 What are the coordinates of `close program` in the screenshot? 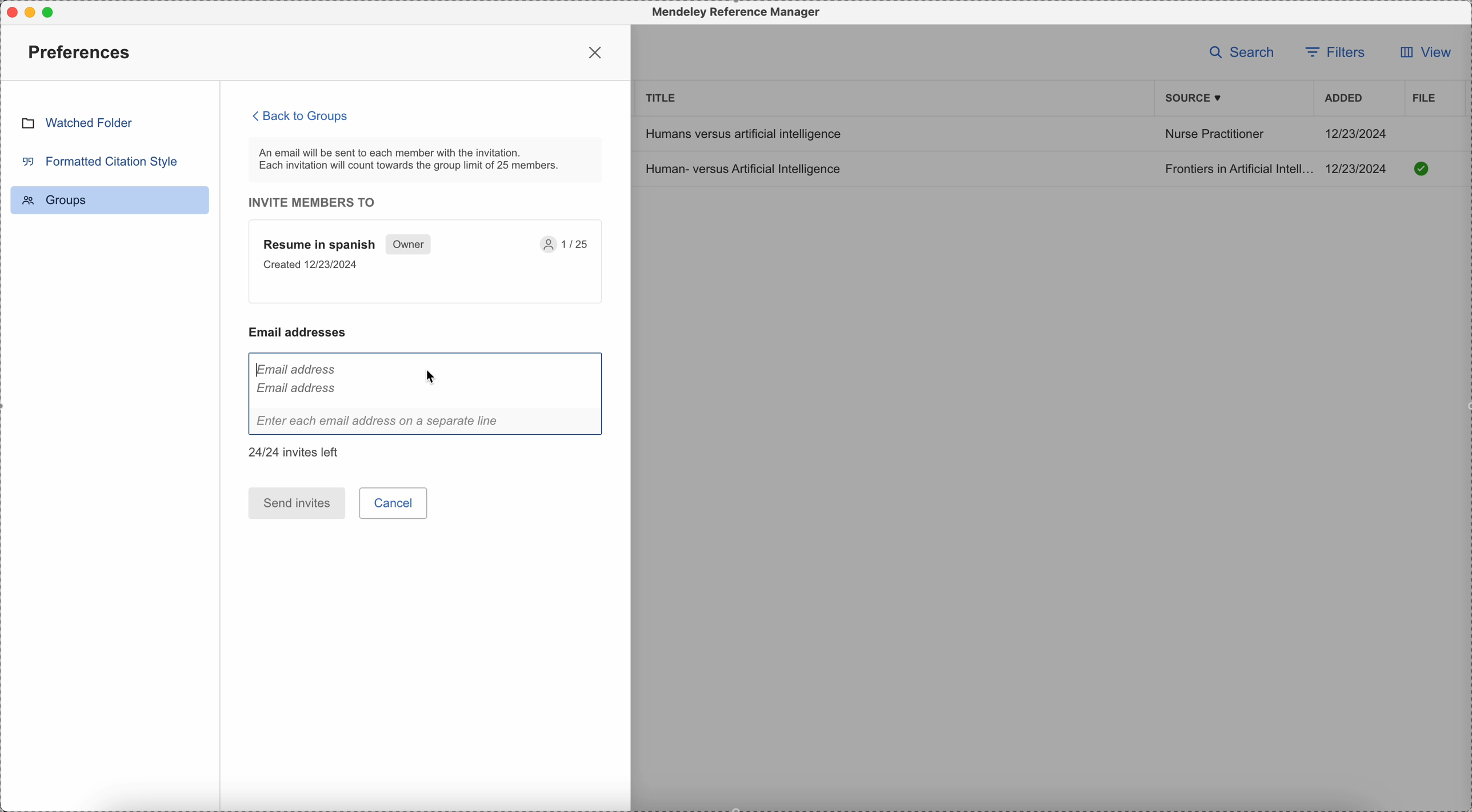 It's located at (9, 10).